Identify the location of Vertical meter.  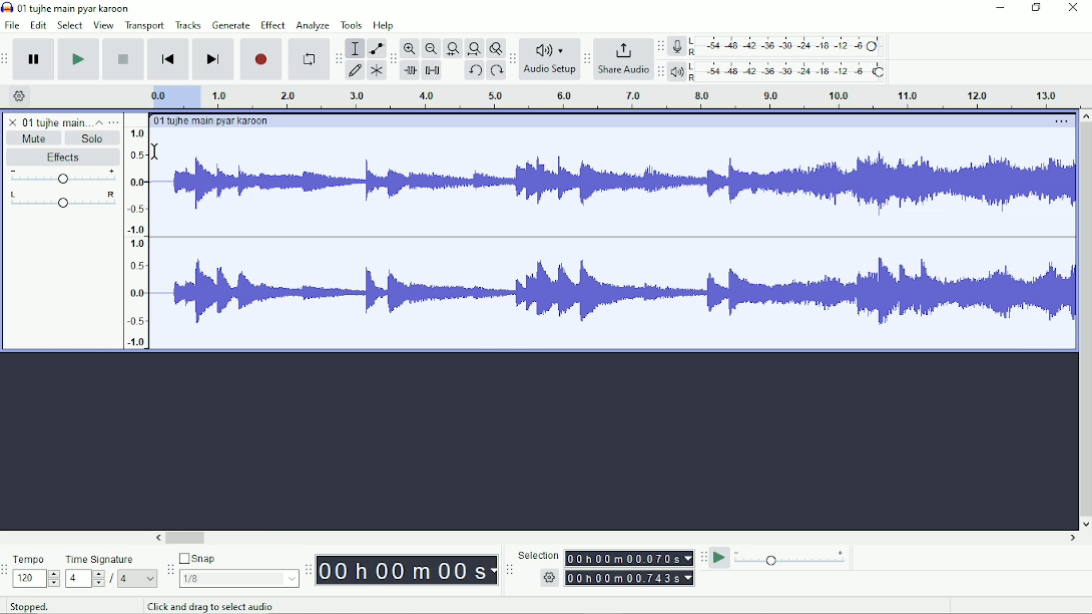
(133, 237).